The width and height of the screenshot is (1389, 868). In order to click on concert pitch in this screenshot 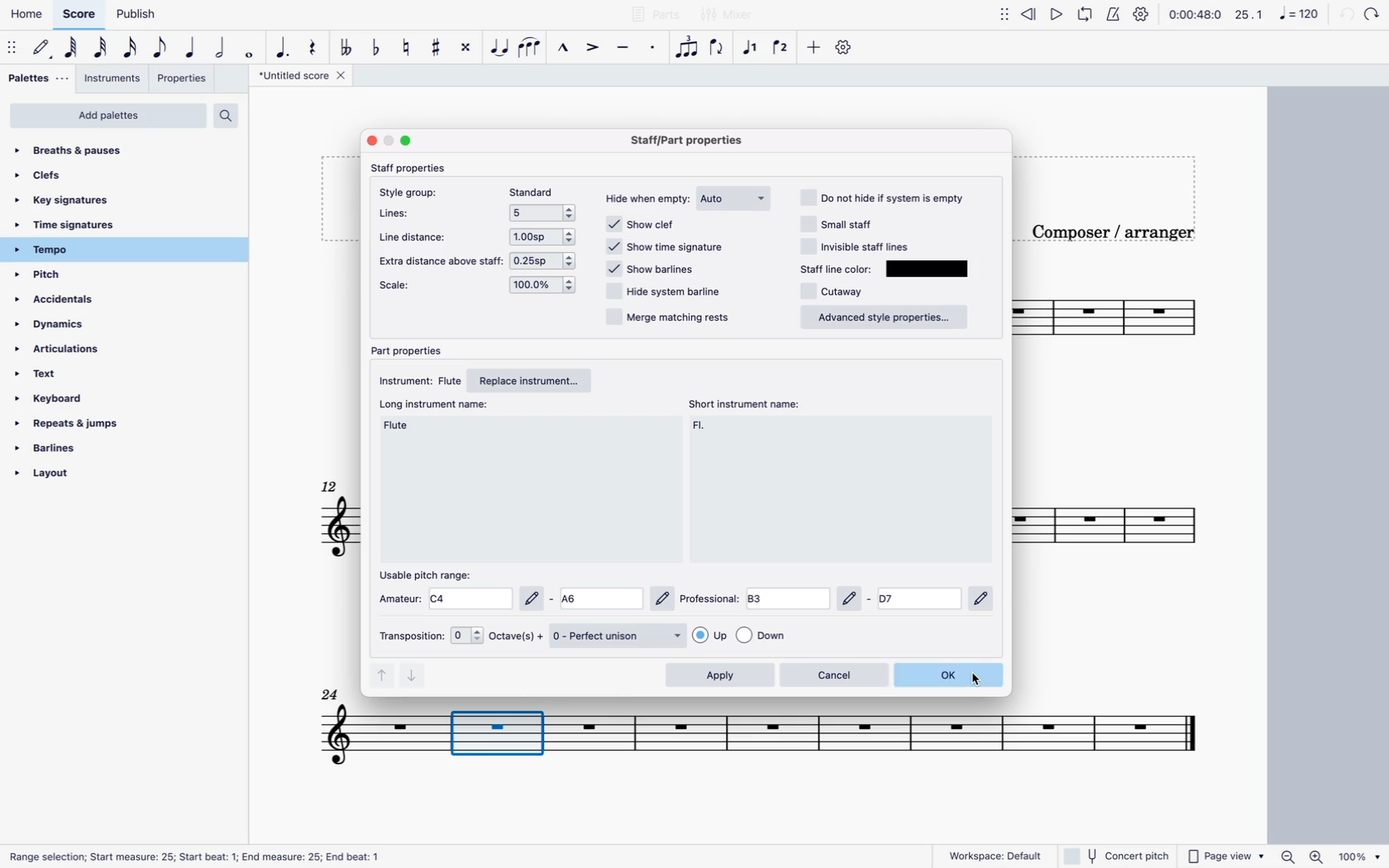, I will do `click(1119, 856)`.